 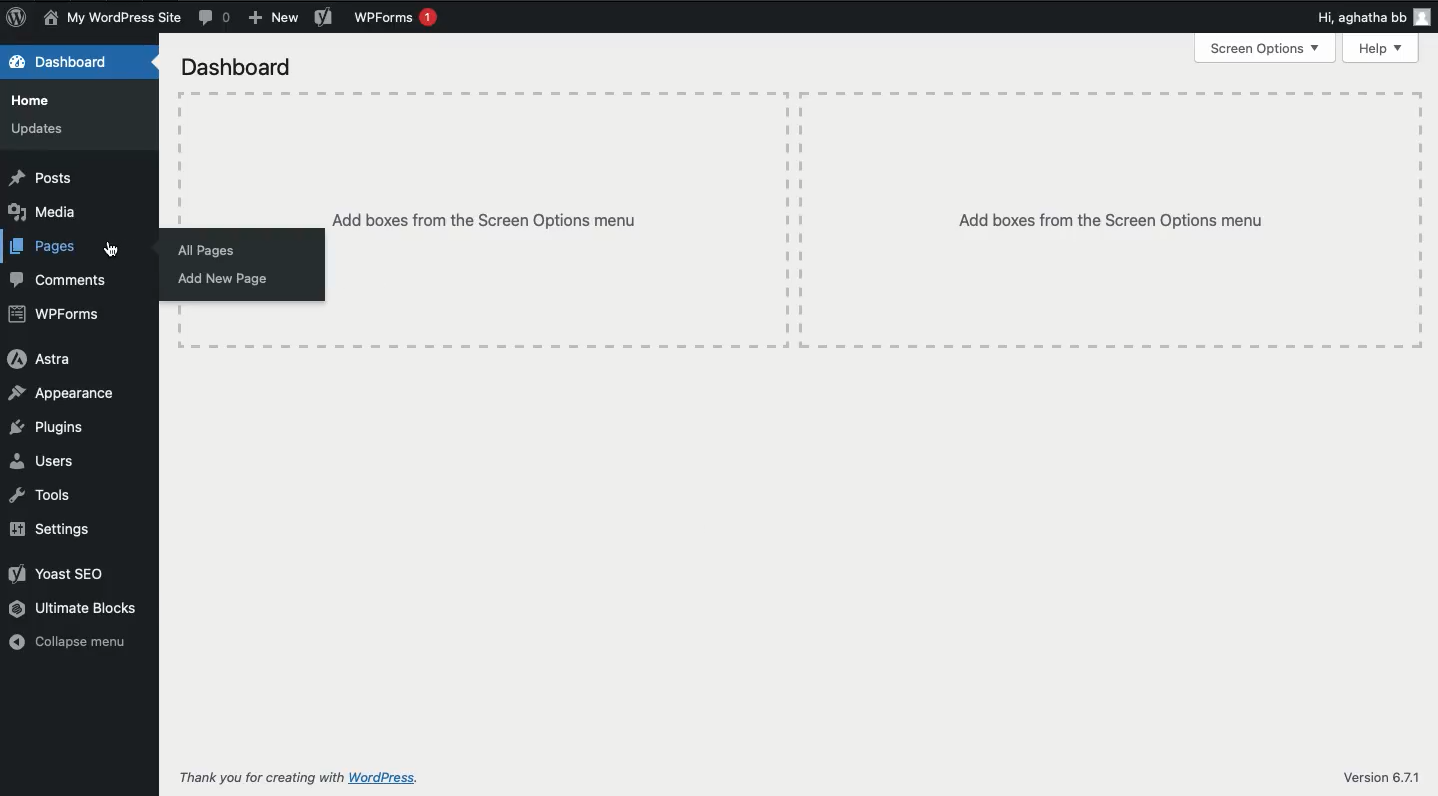 What do you see at coordinates (217, 18) in the screenshot?
I see `Comments` at bounding box center [217, 18].